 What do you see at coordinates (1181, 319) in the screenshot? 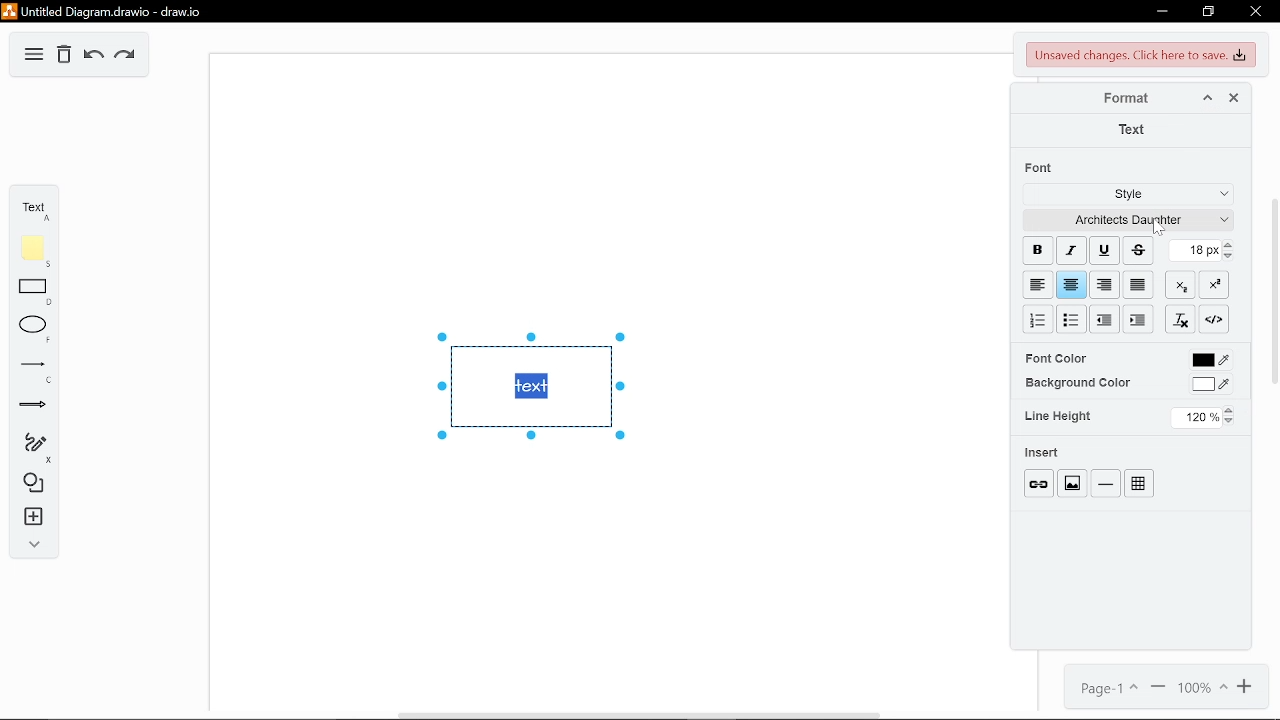
I see `clear formatting` at bounding box center [1181, 319].